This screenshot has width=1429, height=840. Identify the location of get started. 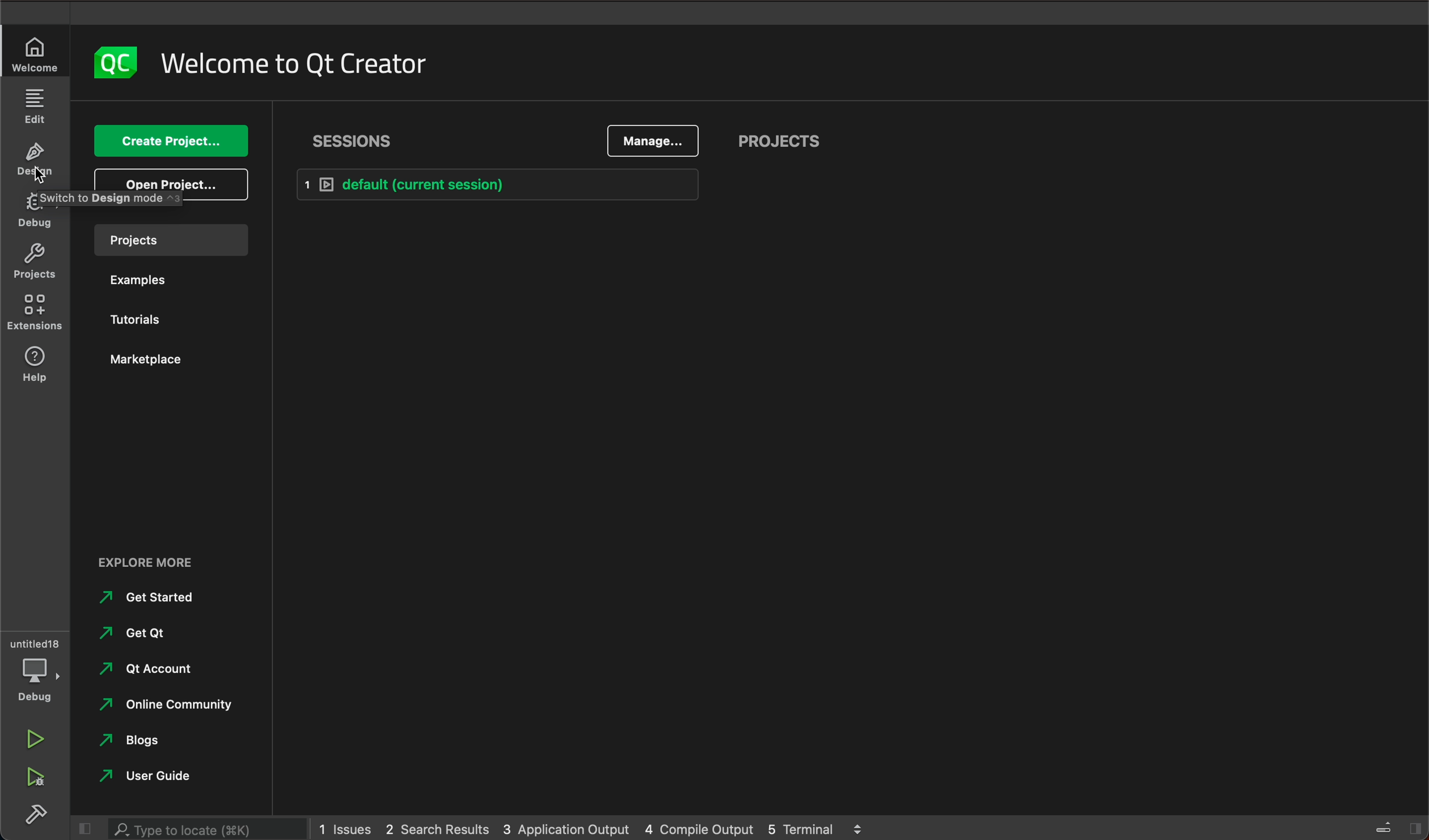
(154, 600).